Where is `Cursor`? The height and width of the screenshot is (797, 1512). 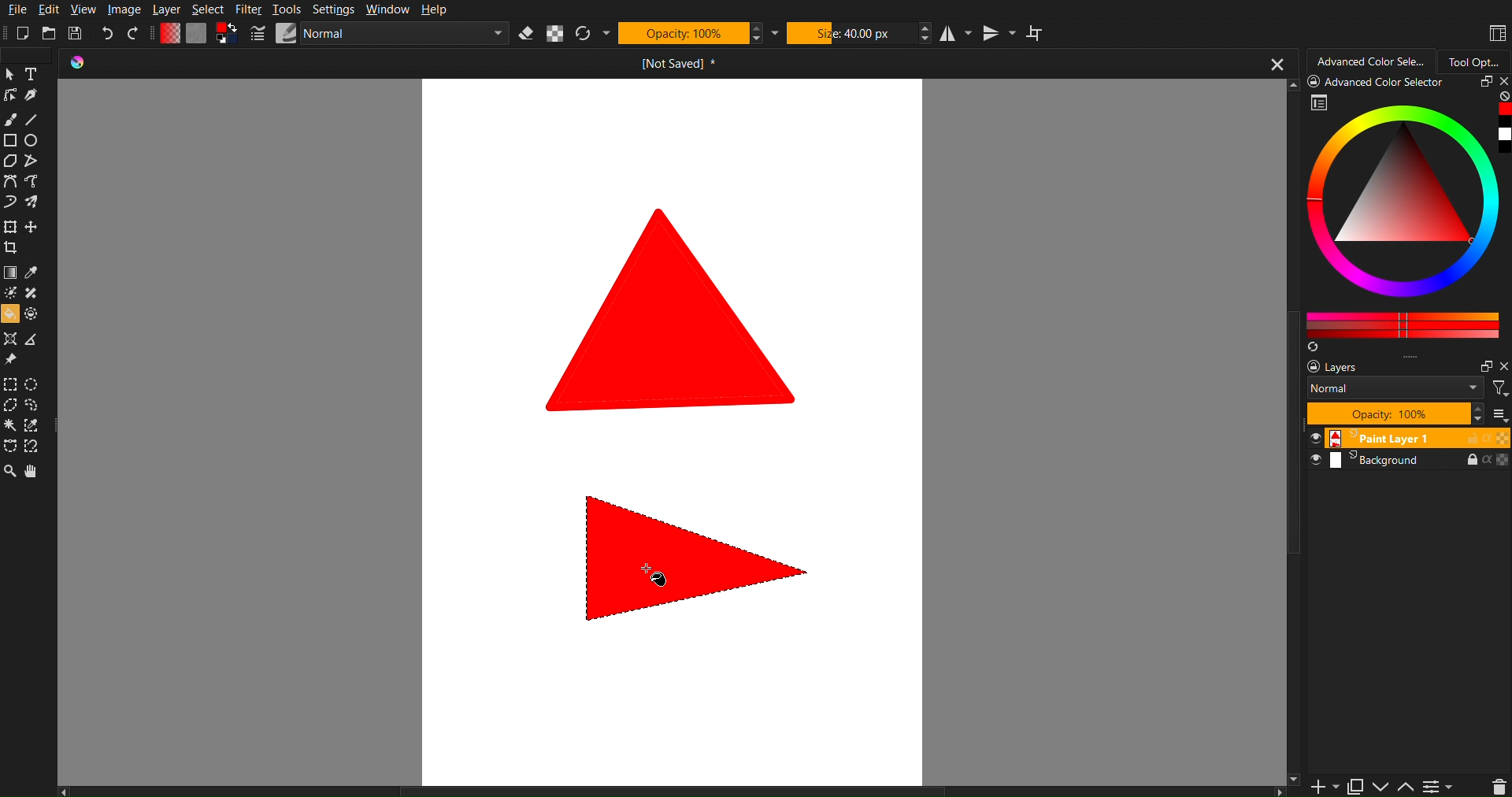 Cursor is located at coordinates (9, 407).